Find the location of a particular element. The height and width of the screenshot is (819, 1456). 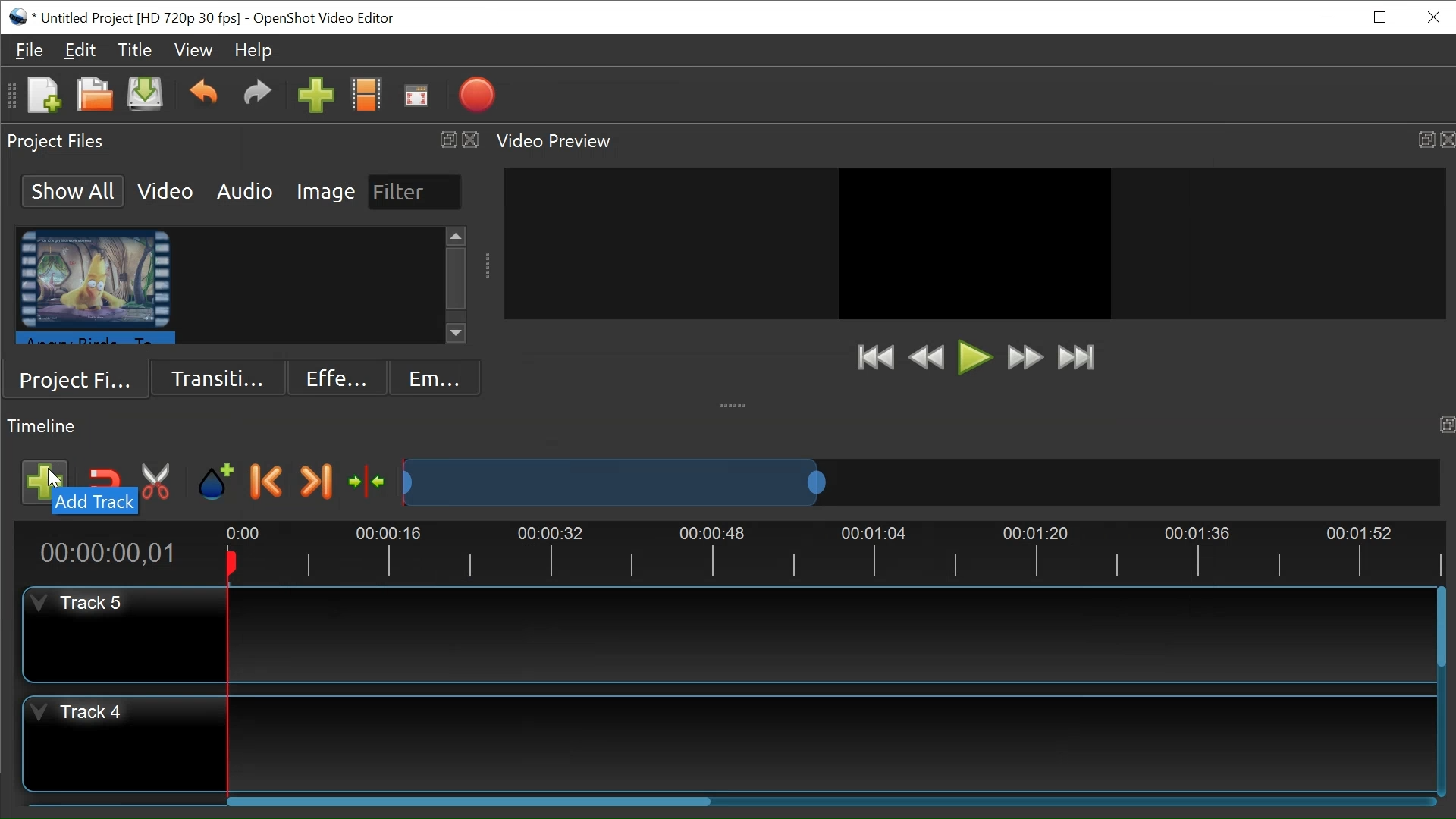

Jump to End is located at coordinates (1081, 359).